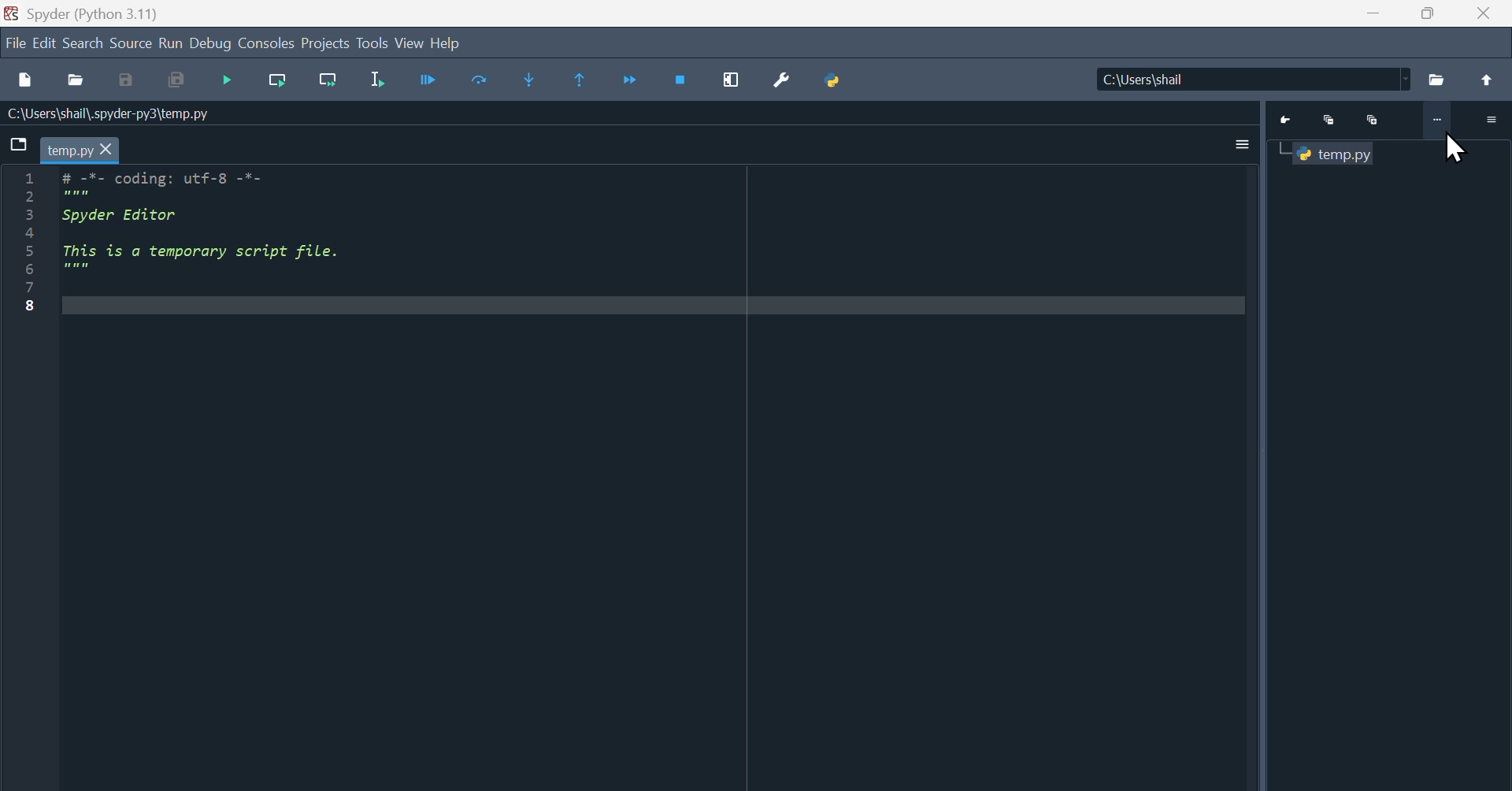  Describe the element at coordinates (24, 80) in the screenshot. I see `New files` at that location.